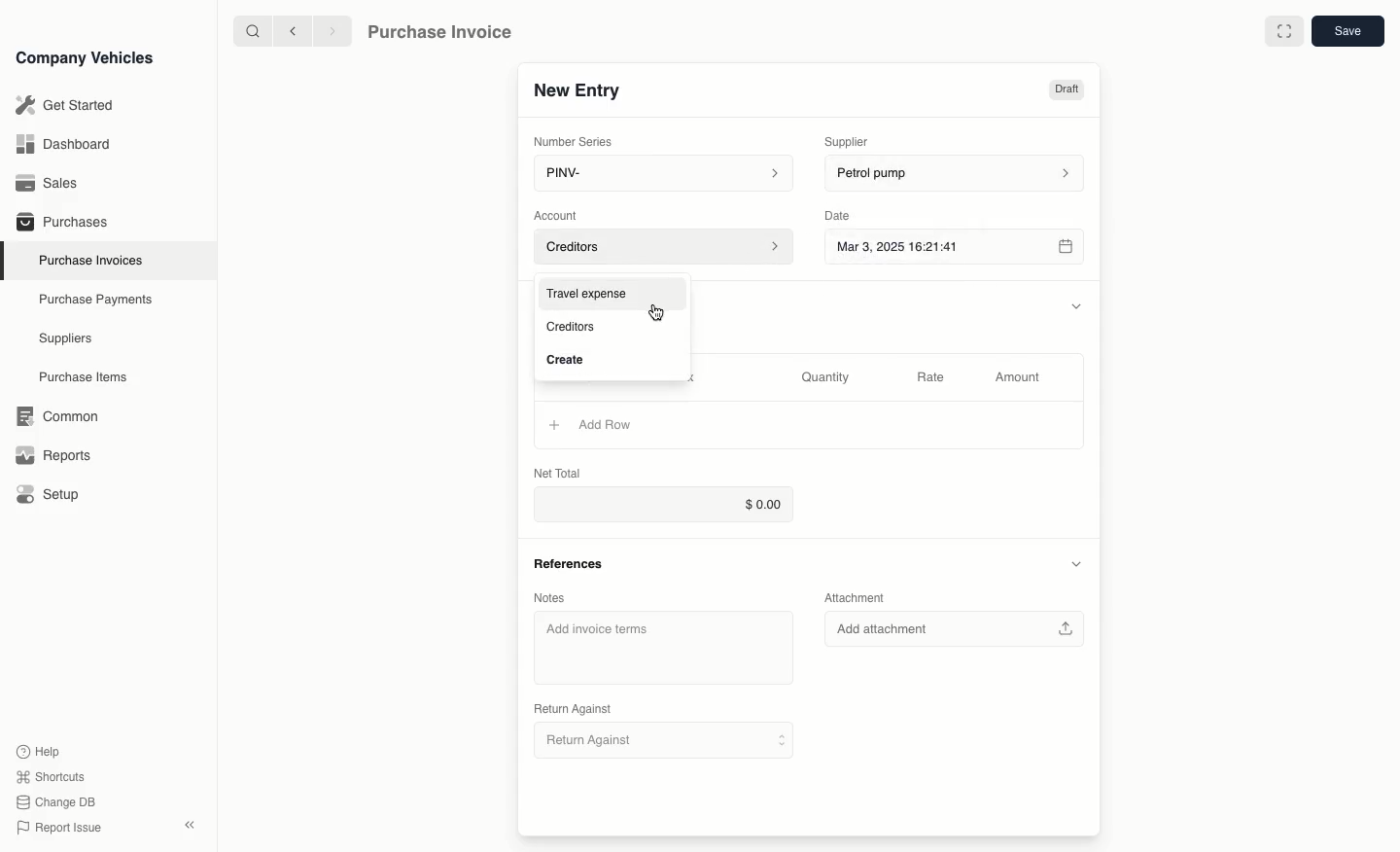 The height and width of the screenshot is (852, 1400). Describe the element at coordinates (572, 708) in the screenshot. I see `Return Against` at that location.